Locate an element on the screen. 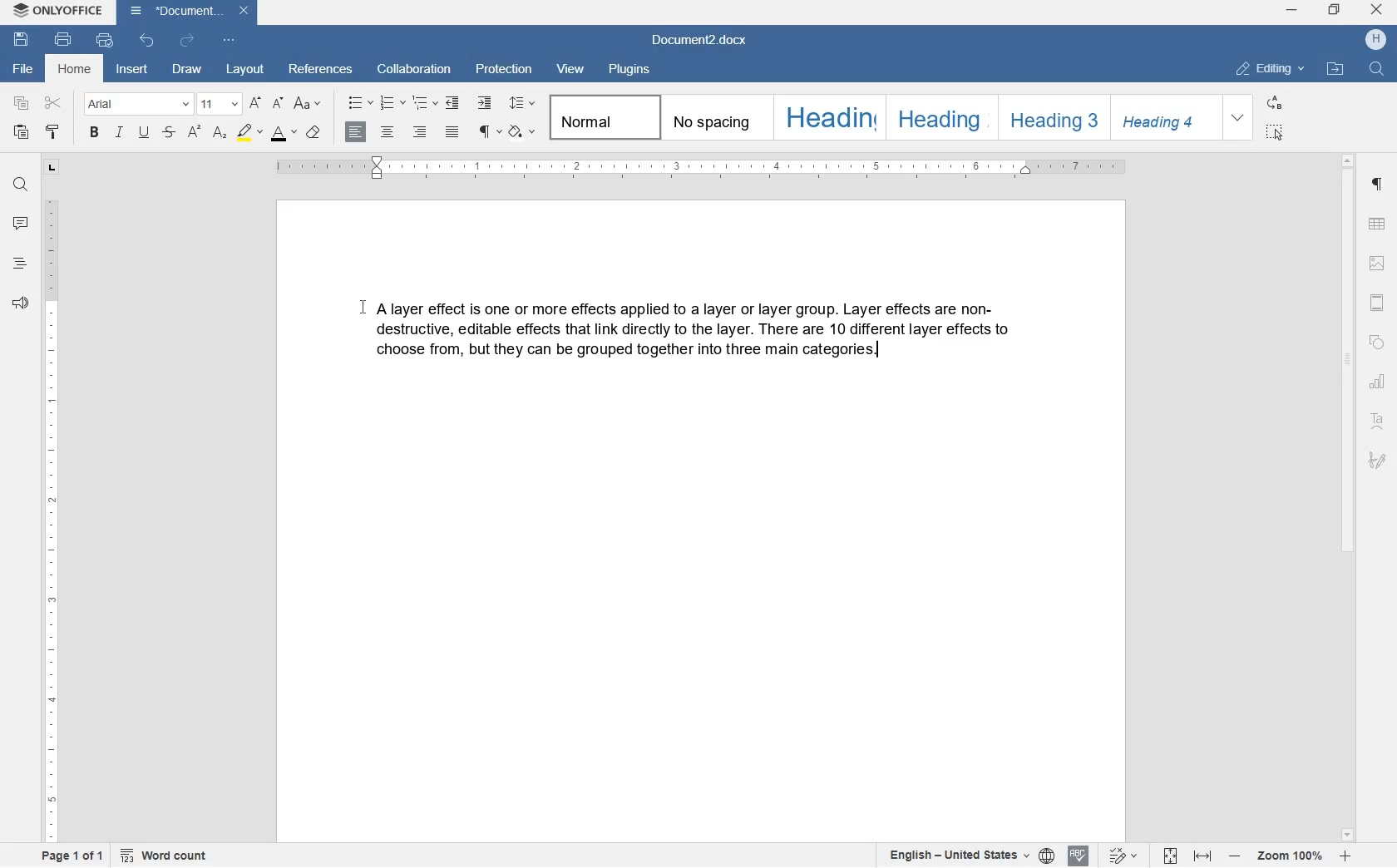 This screenshot has width=1397, height=868. decrease indent is located at coordinates (456, 102).